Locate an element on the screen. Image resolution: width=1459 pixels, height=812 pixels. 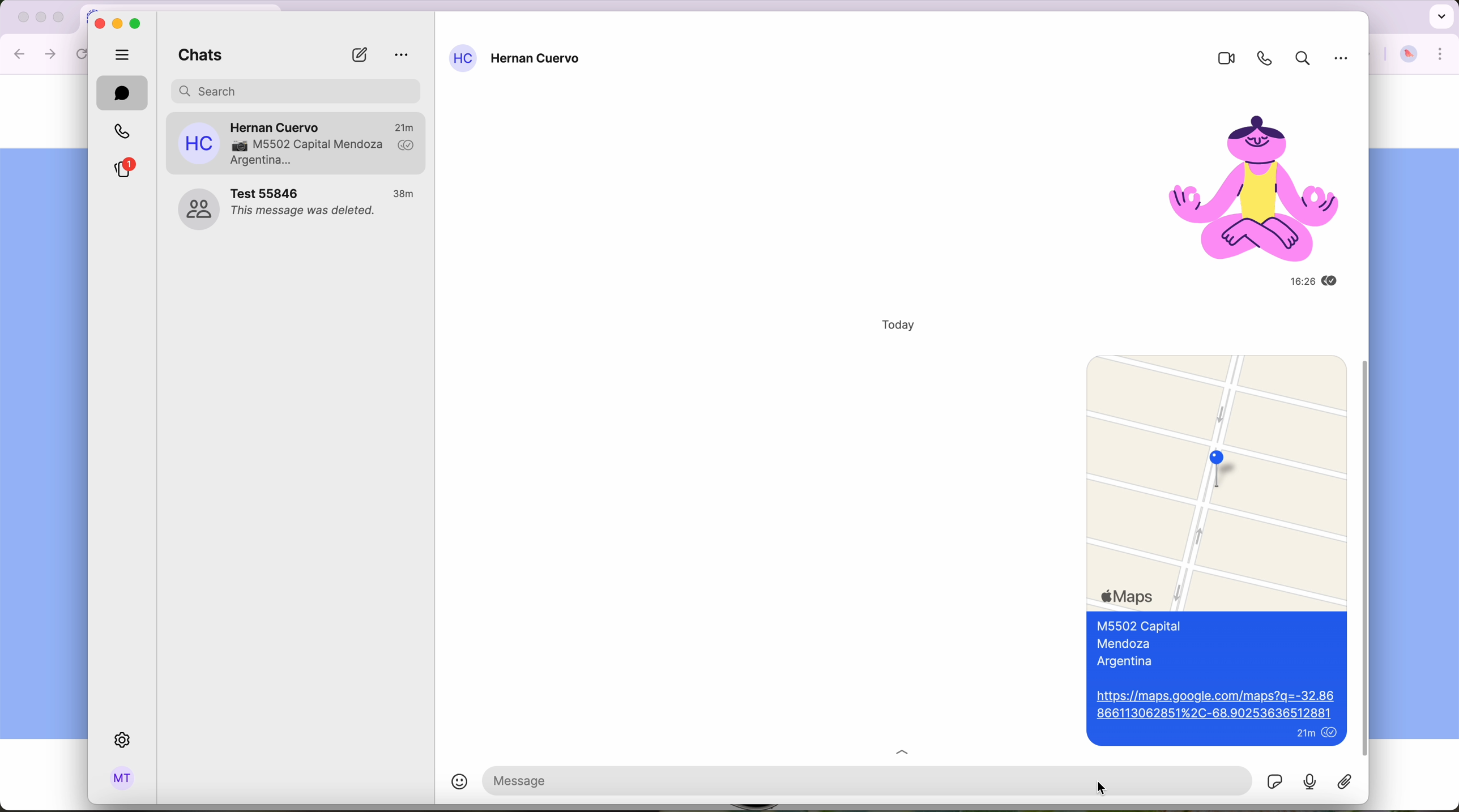
microphone is located at coordinates (1311, 781).